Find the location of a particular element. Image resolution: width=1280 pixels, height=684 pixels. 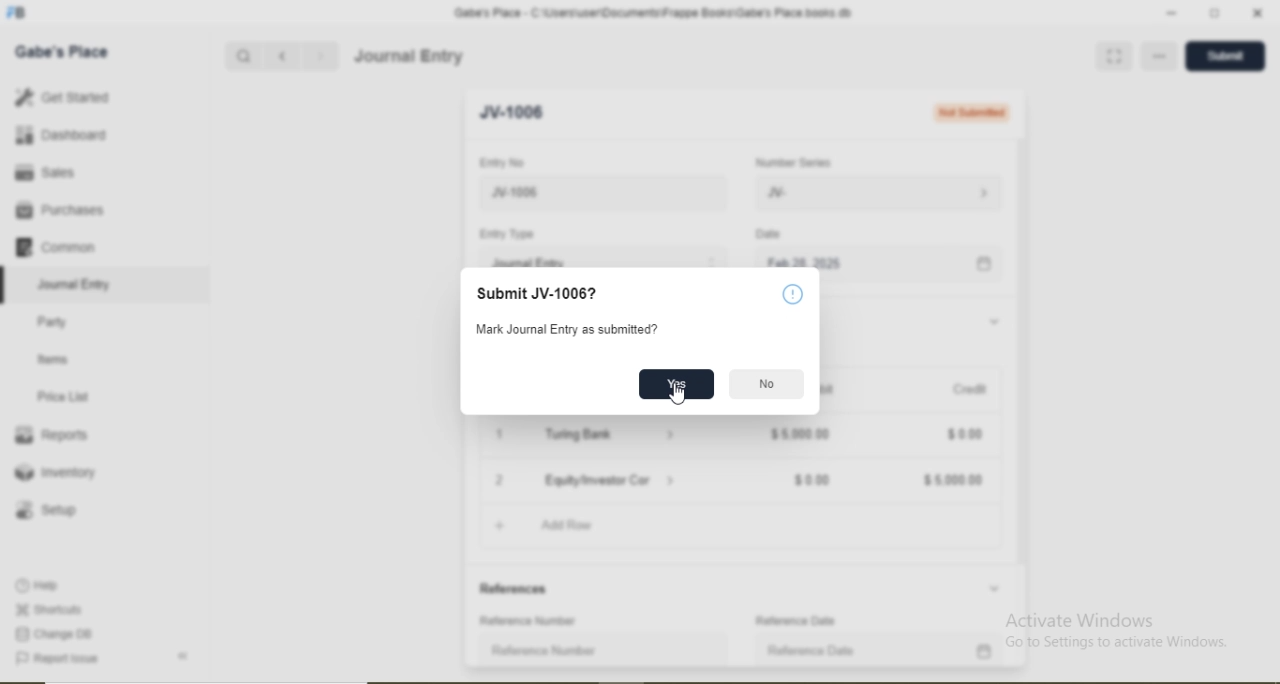

No is located at coordinates (768, 384).